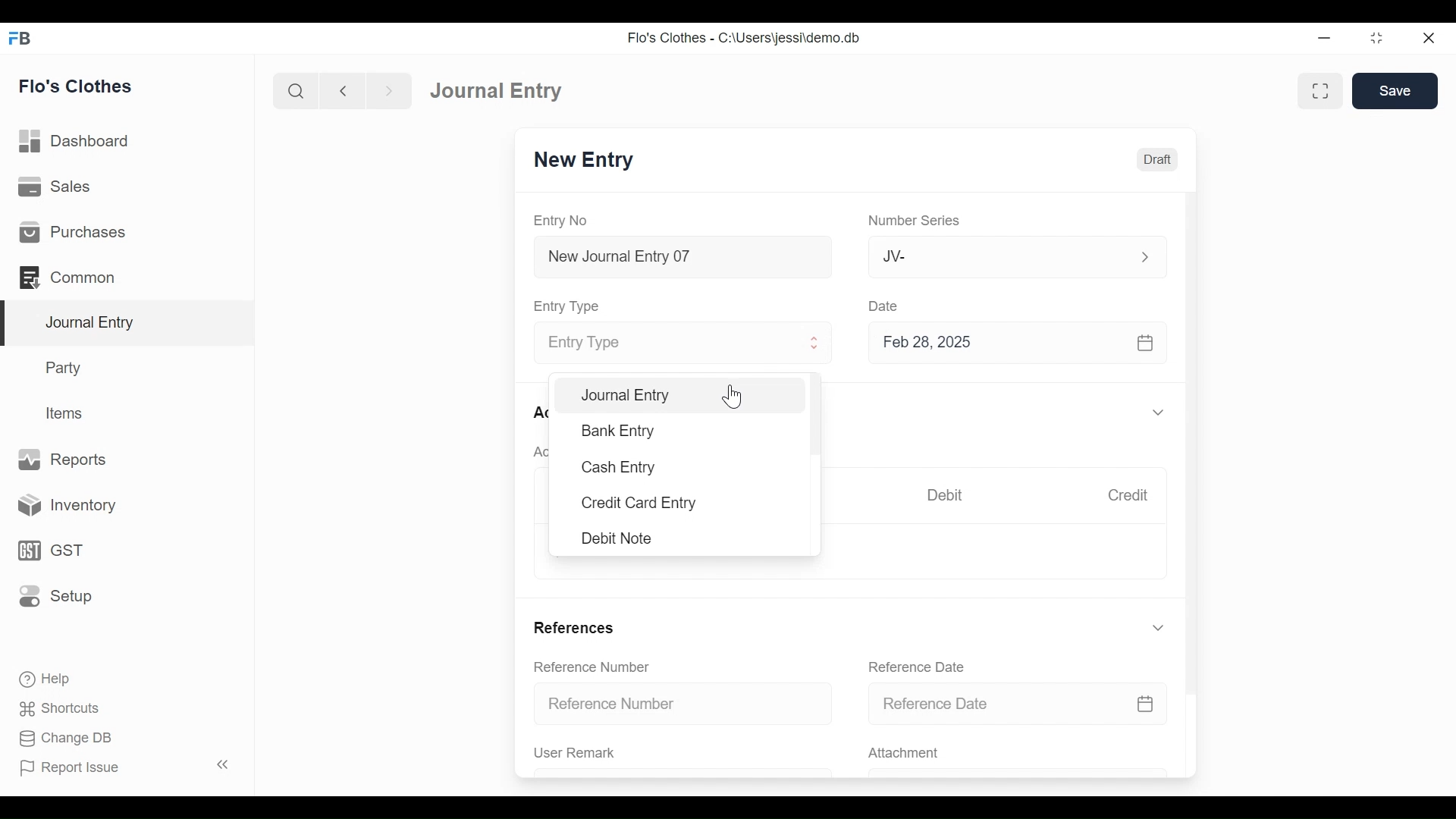  I want to click on Journal Entry, so click(689, 397).